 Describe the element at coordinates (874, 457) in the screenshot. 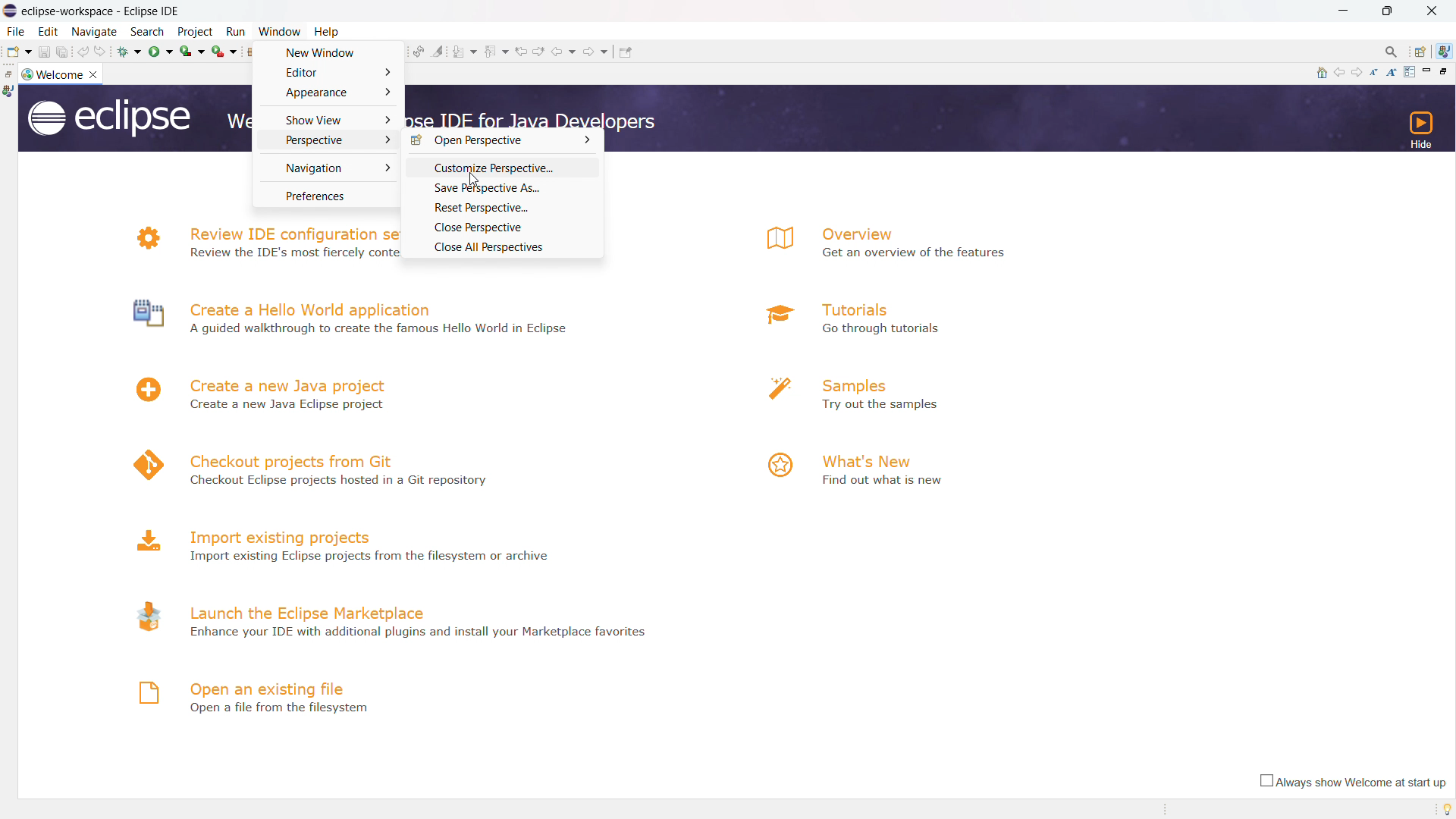

I see `what's new` at that location.